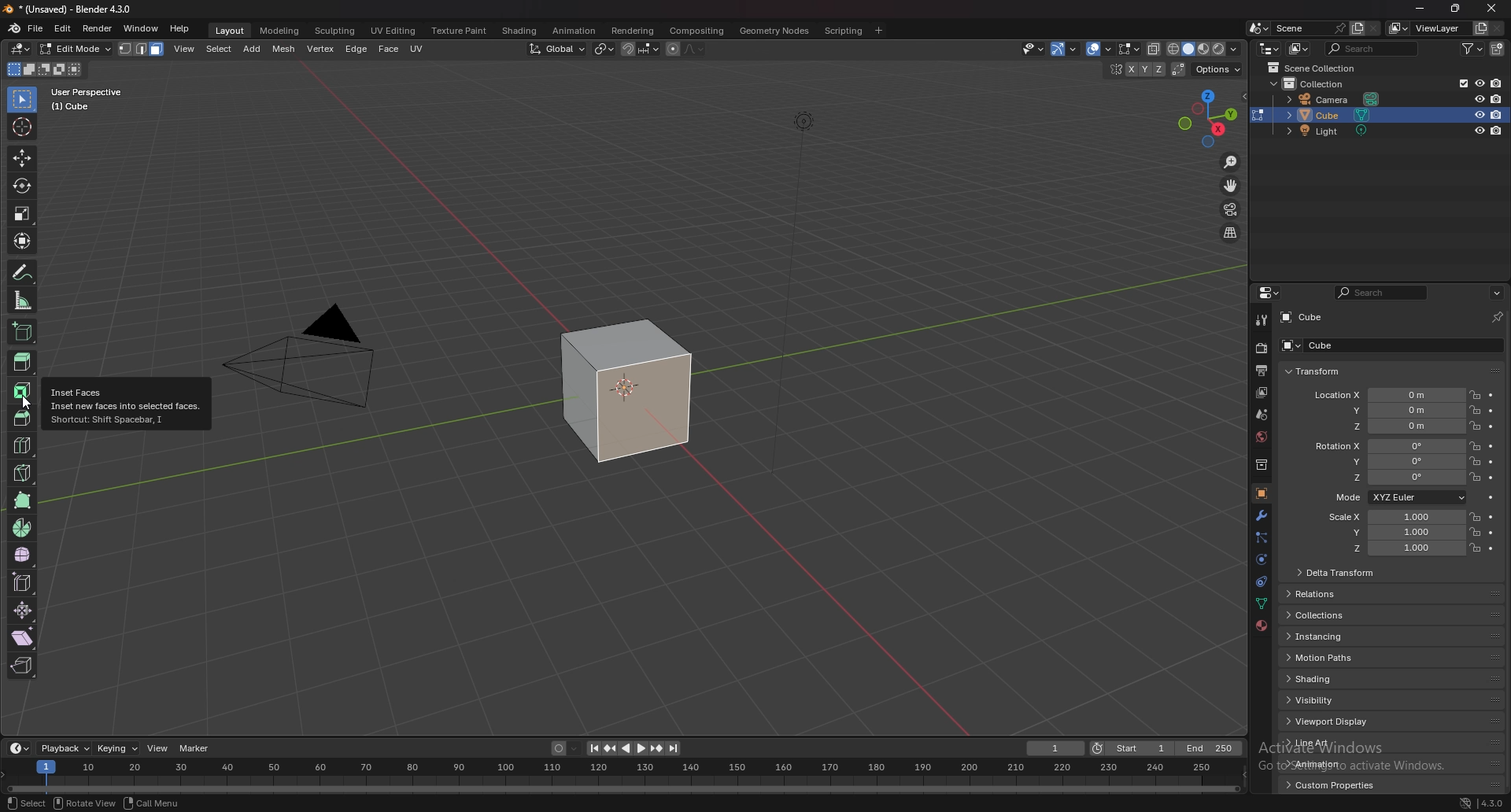  Describe the element at coordinates (1496, 115) in the screenshot. I see `disable in render` at that location.